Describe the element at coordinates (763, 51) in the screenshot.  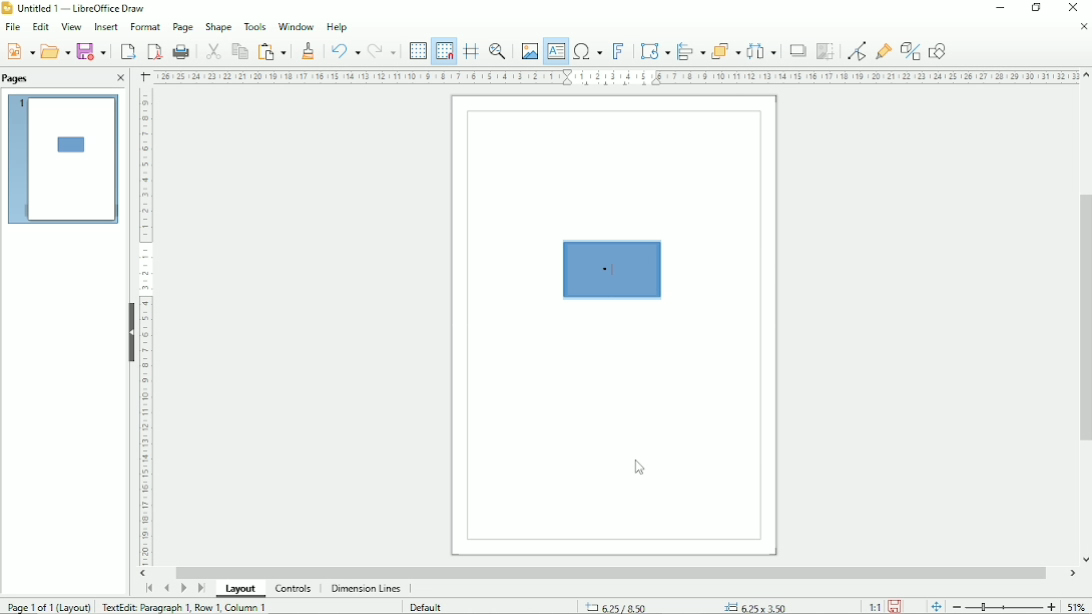
I see `Distribute` at that location.